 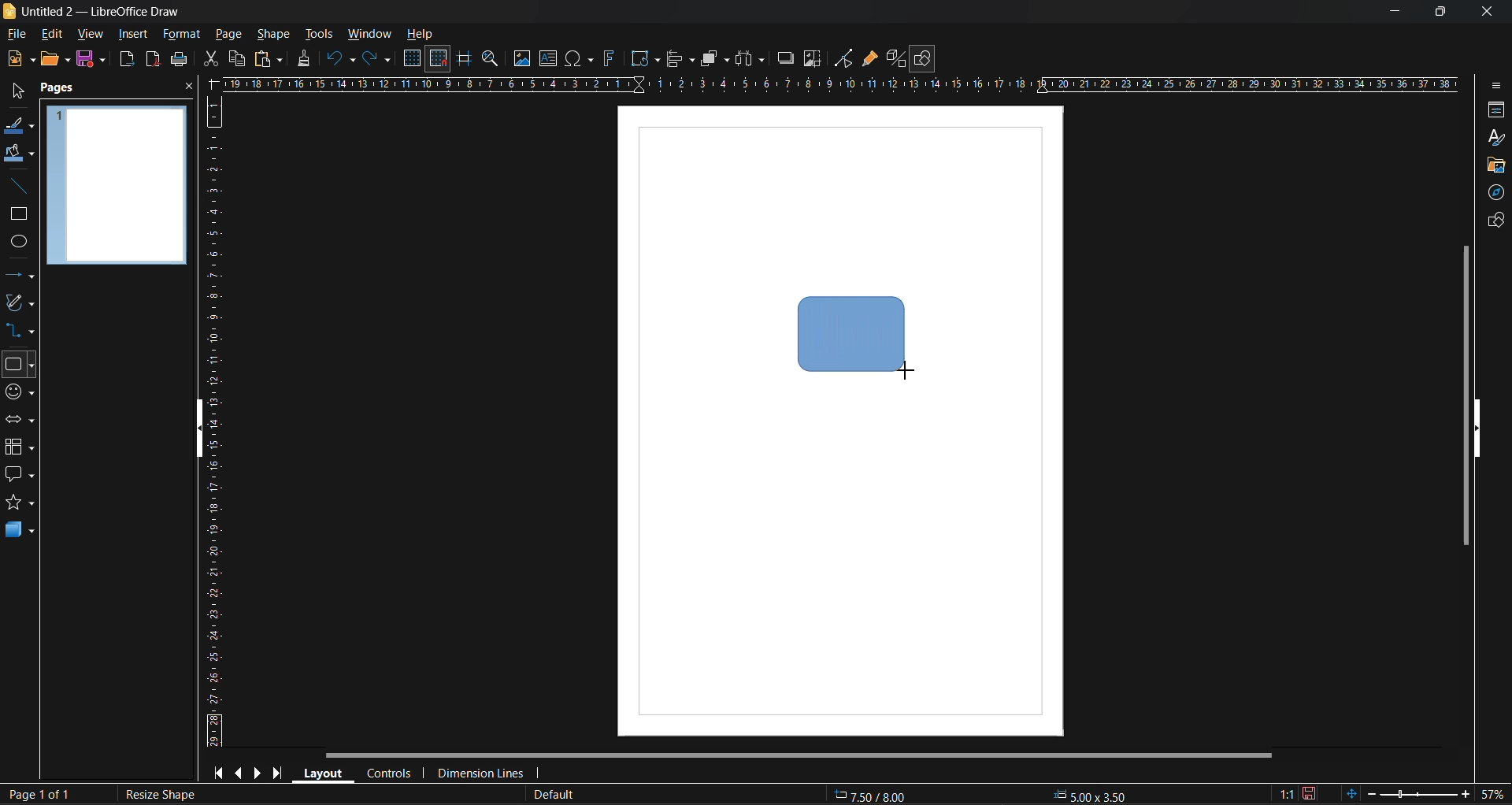 What do you see at coordinates (55, 35) in the screenshot?
I see `edit` at bounding box center [55, 35].